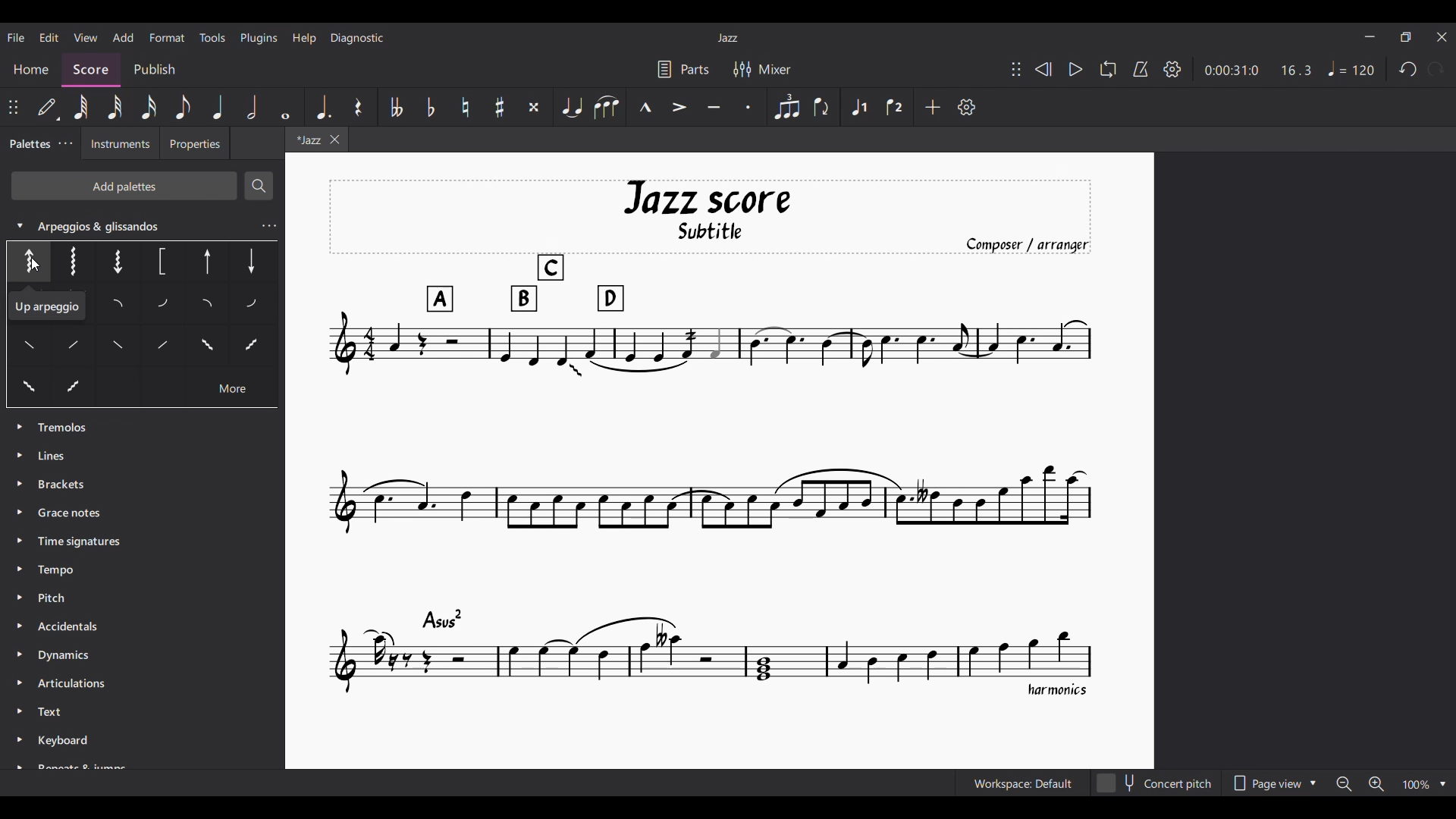  What do you see at coordinates (356, 38) in the screenshot?
I see `Diagnostic menu` at bounding box center [356, 38].